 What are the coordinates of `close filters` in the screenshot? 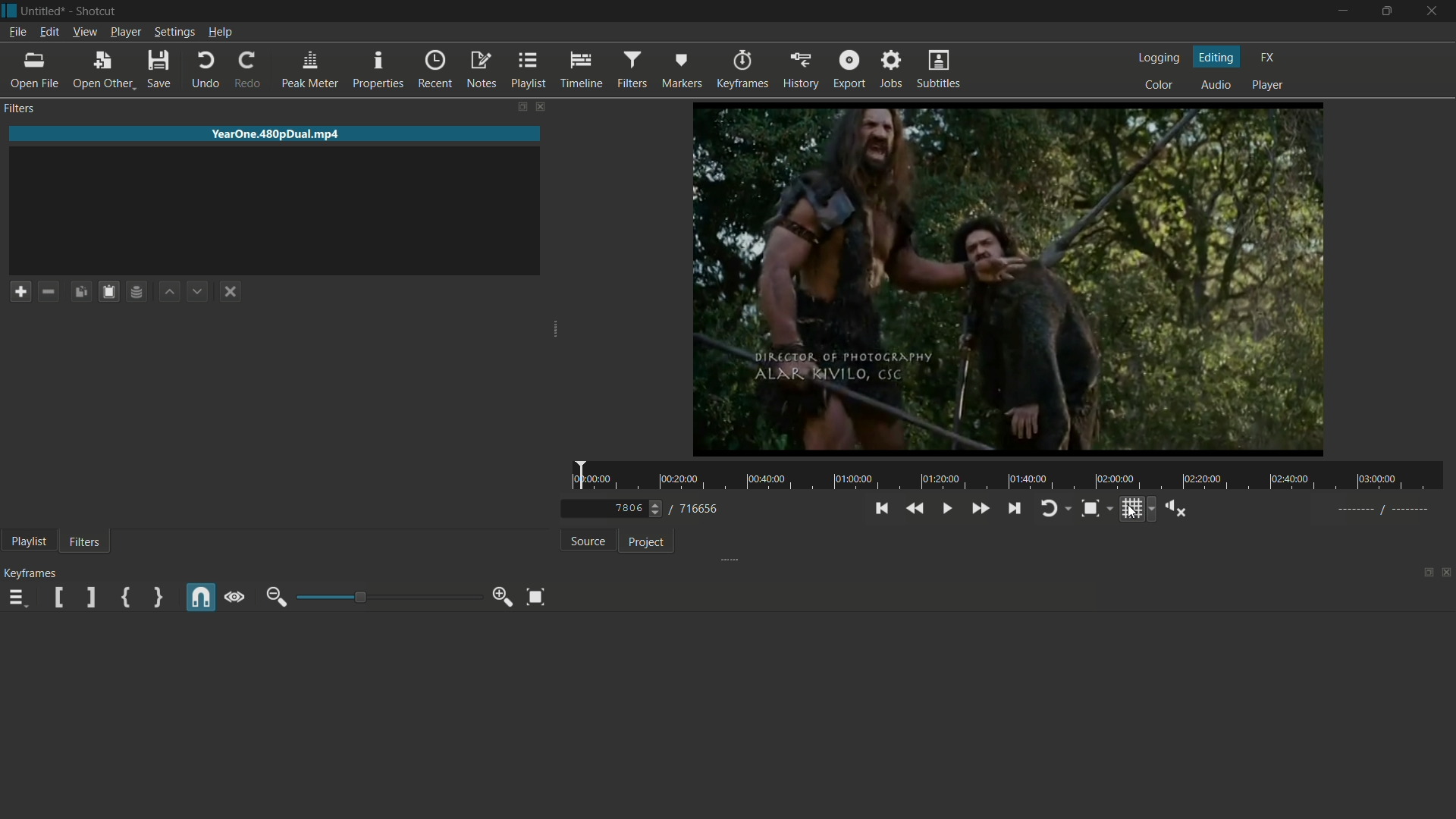 It's located at (541, 108).